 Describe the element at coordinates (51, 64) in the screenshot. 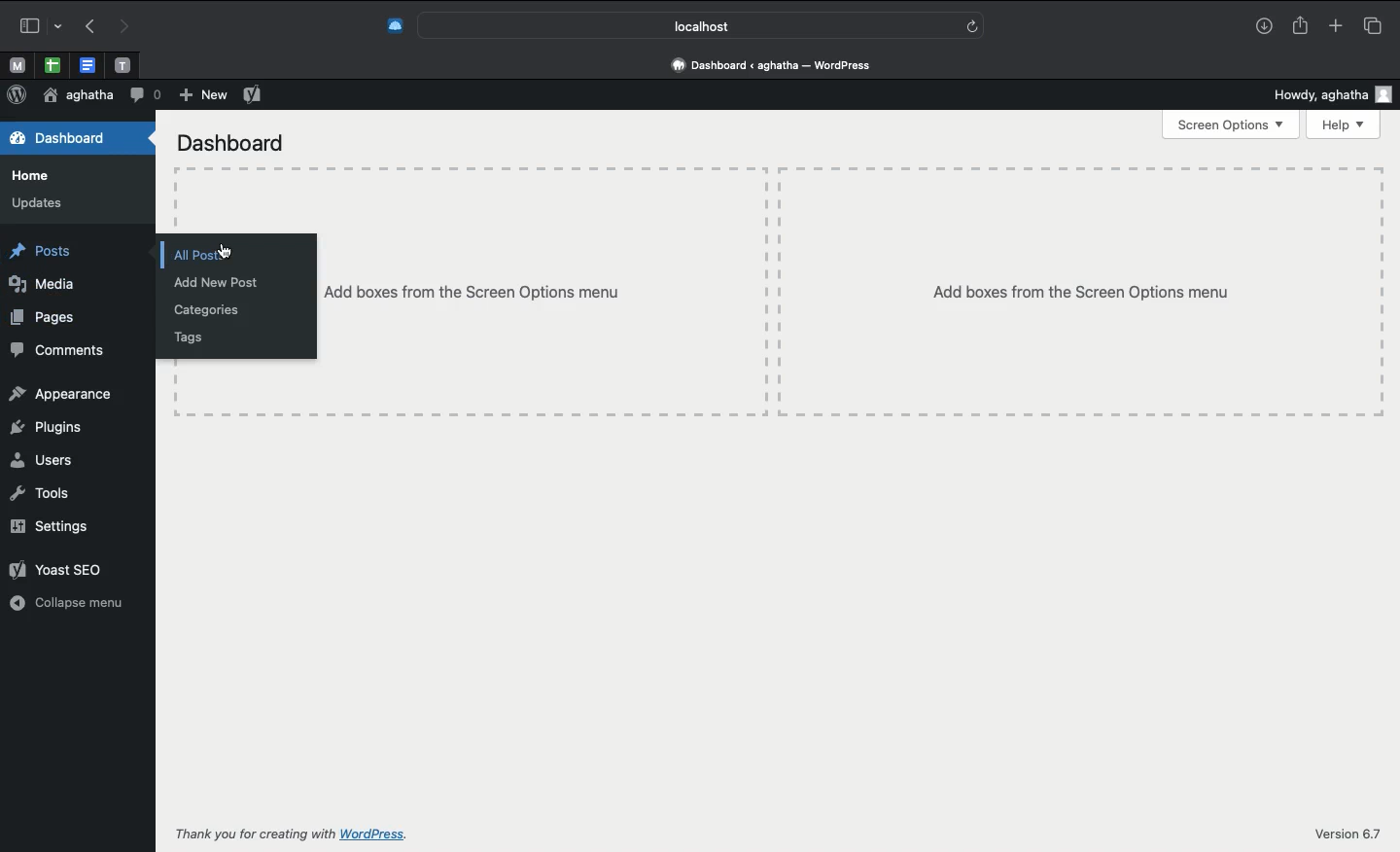

I see `Pinned tabs` at that location.